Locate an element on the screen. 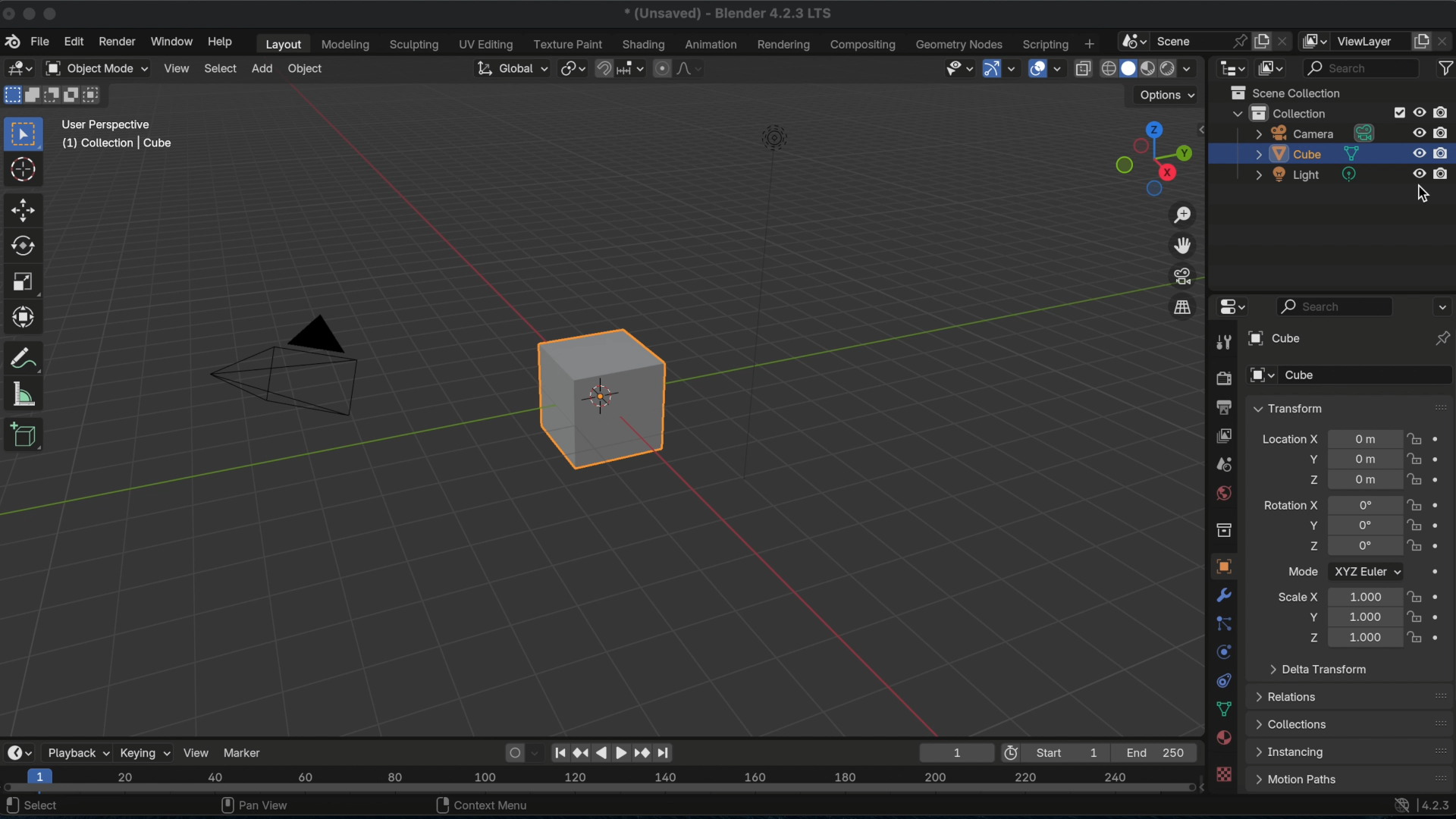 The height and width of the screenshot is (819, 1456). default cube is located at coordinates (599, 397).